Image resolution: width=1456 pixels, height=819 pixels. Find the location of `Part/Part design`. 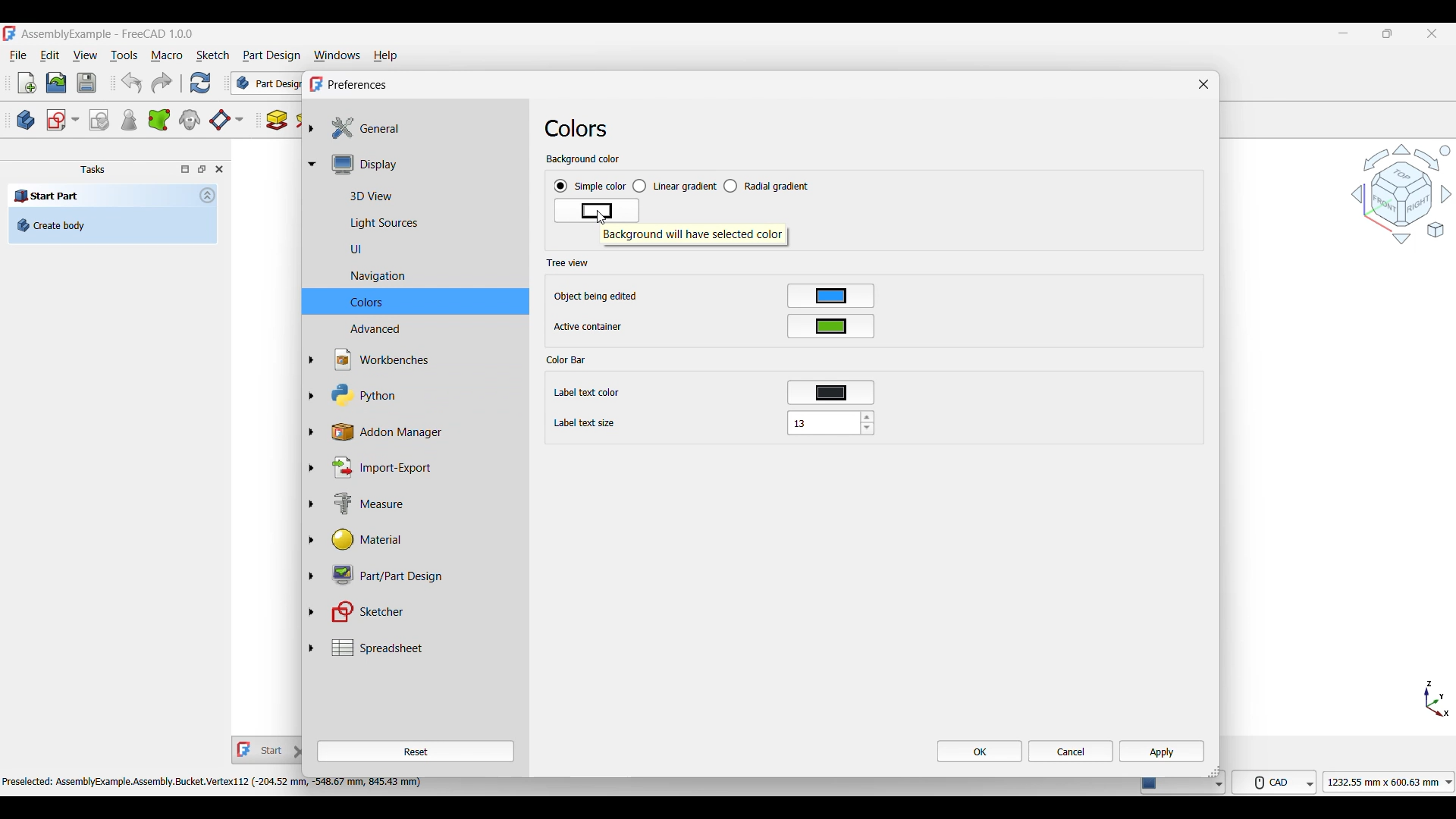

Part/Part design is located at coordinates (424, 574).